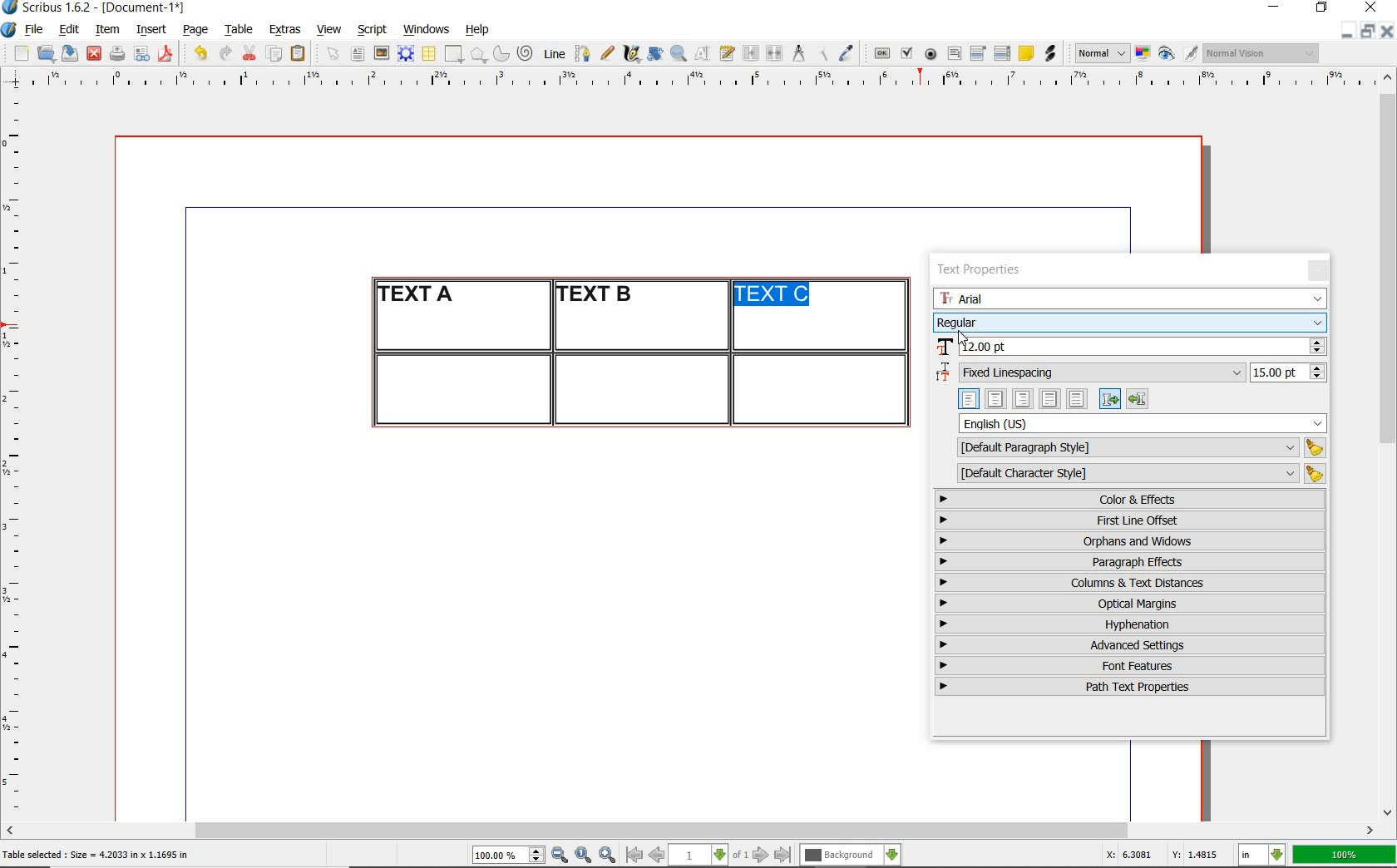 This screenshot has width=1397, height=868. What do you see at coordinates (142, 55) in the screenshot?
I see `preflight verifier` at bounding box center [142, 55].